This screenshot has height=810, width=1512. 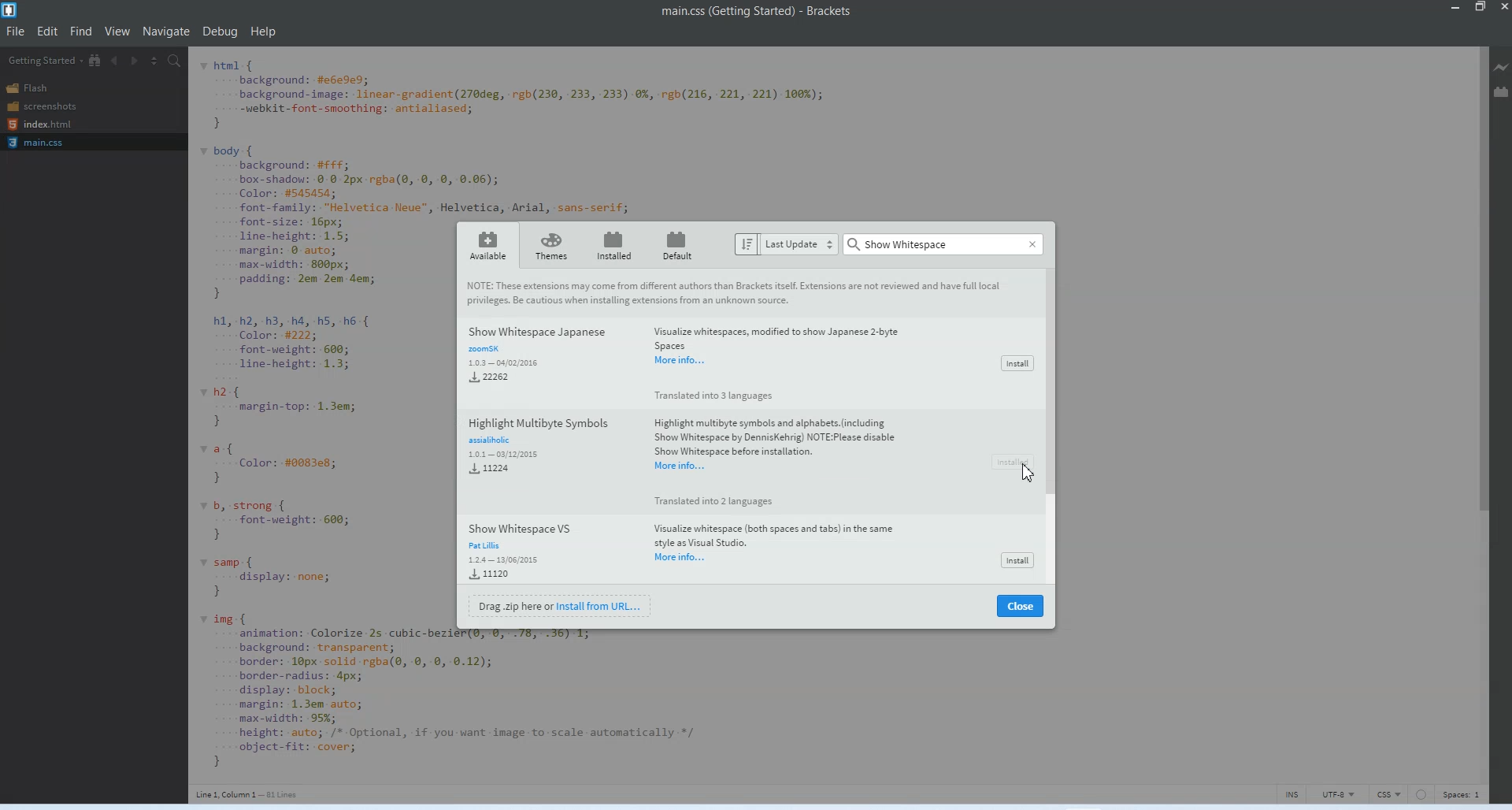 I want to click on Debug, so click(x=221, y=33).